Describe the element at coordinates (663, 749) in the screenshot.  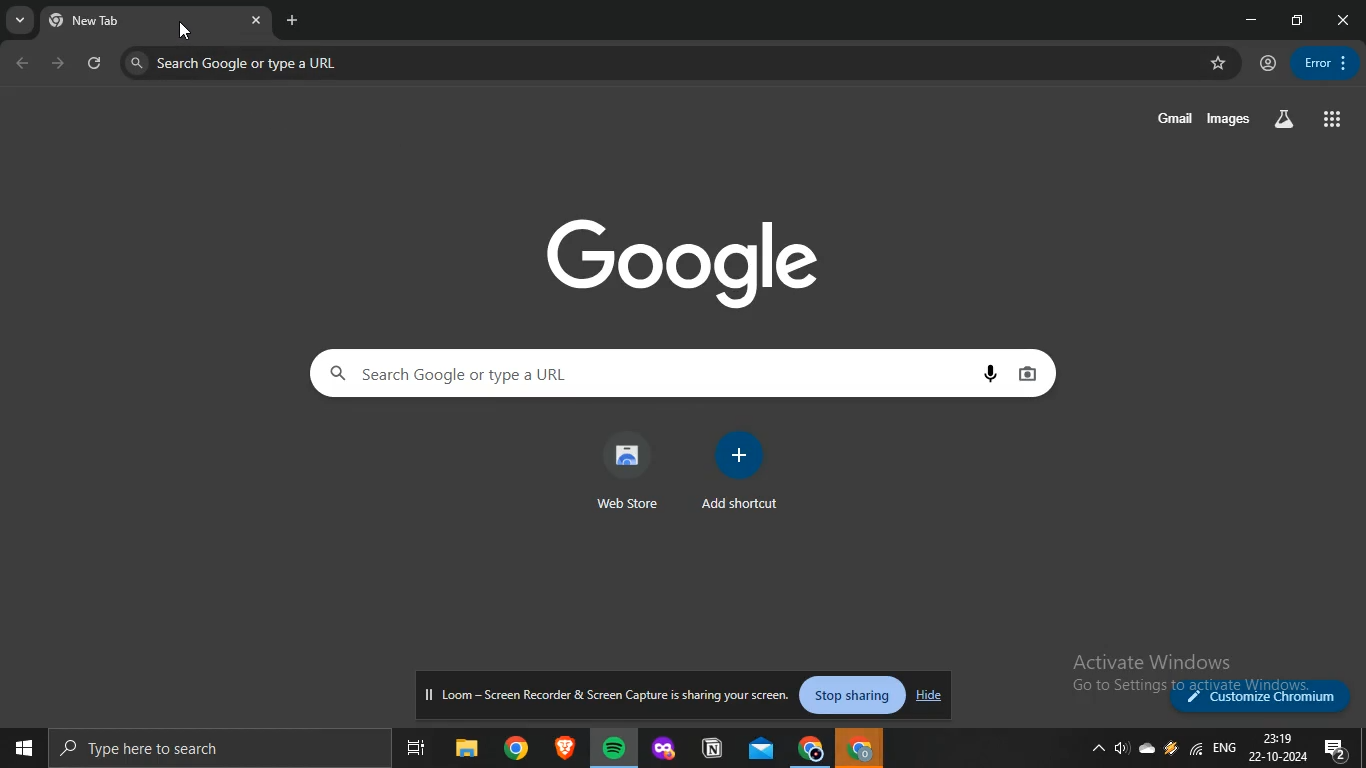
I see `mozilla firefox` at that location.